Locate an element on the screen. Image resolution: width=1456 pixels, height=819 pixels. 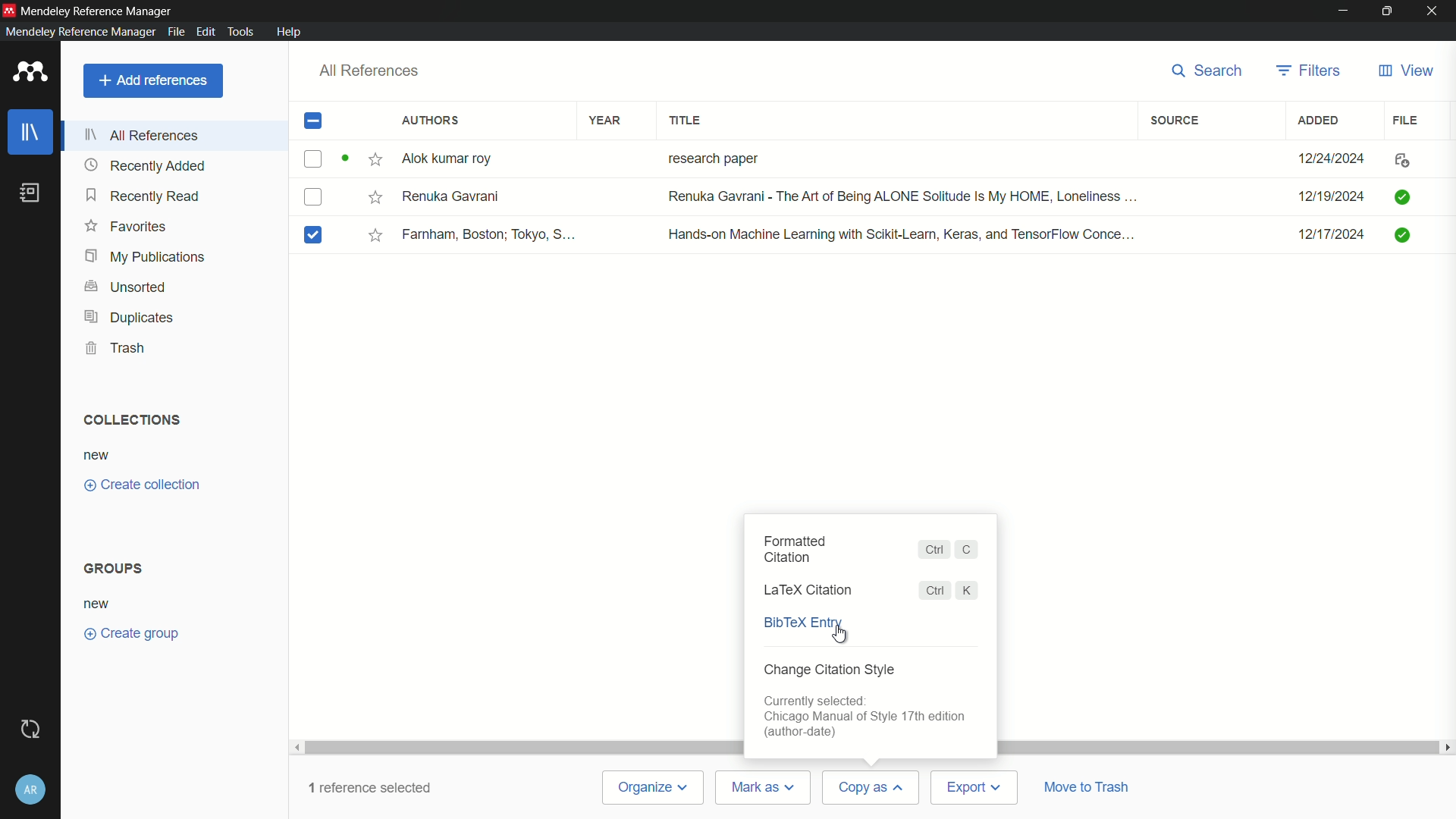
create collection is located at coordinates (140, 485).